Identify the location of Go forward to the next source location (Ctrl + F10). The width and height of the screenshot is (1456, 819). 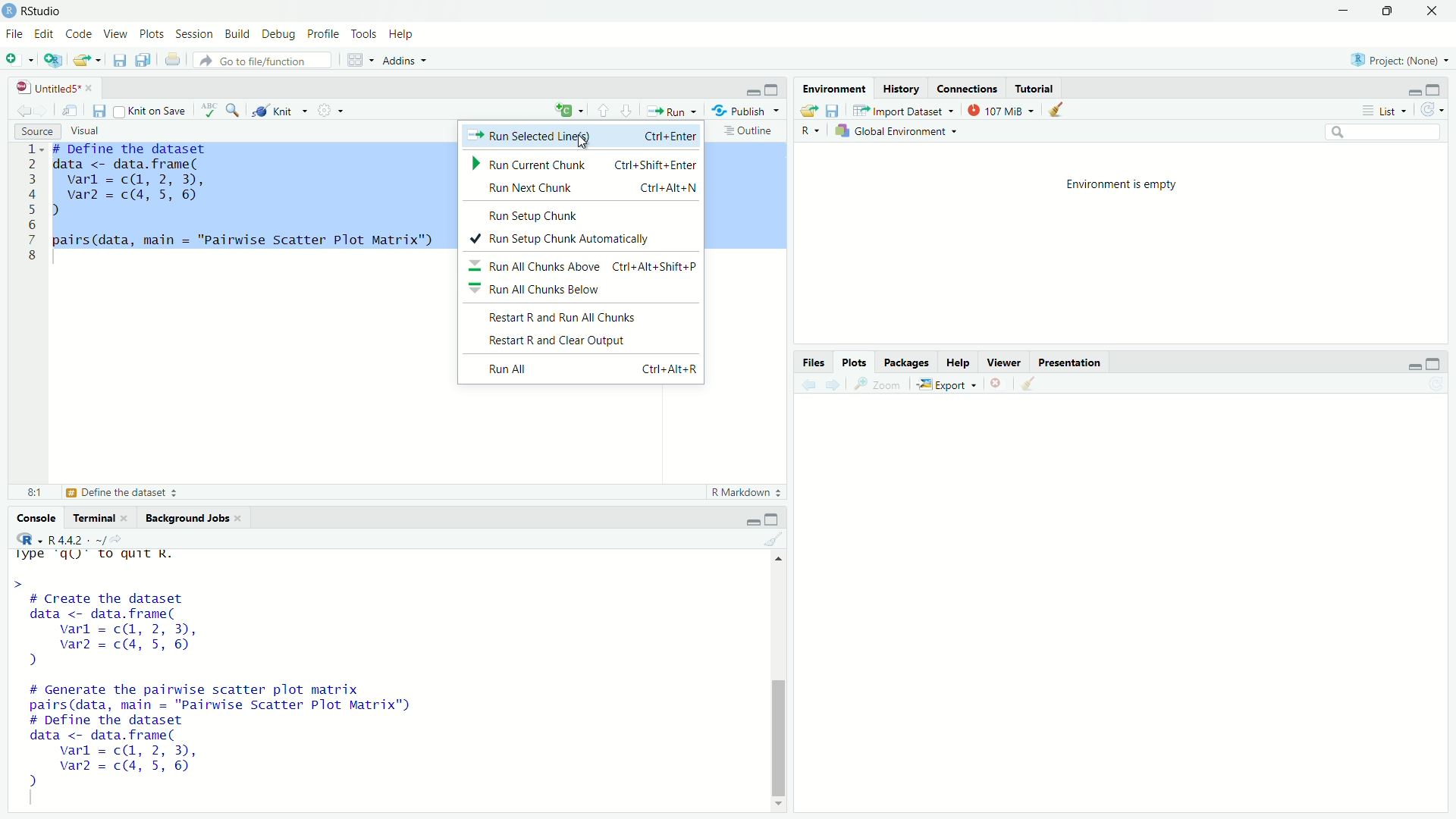
(45, 109).